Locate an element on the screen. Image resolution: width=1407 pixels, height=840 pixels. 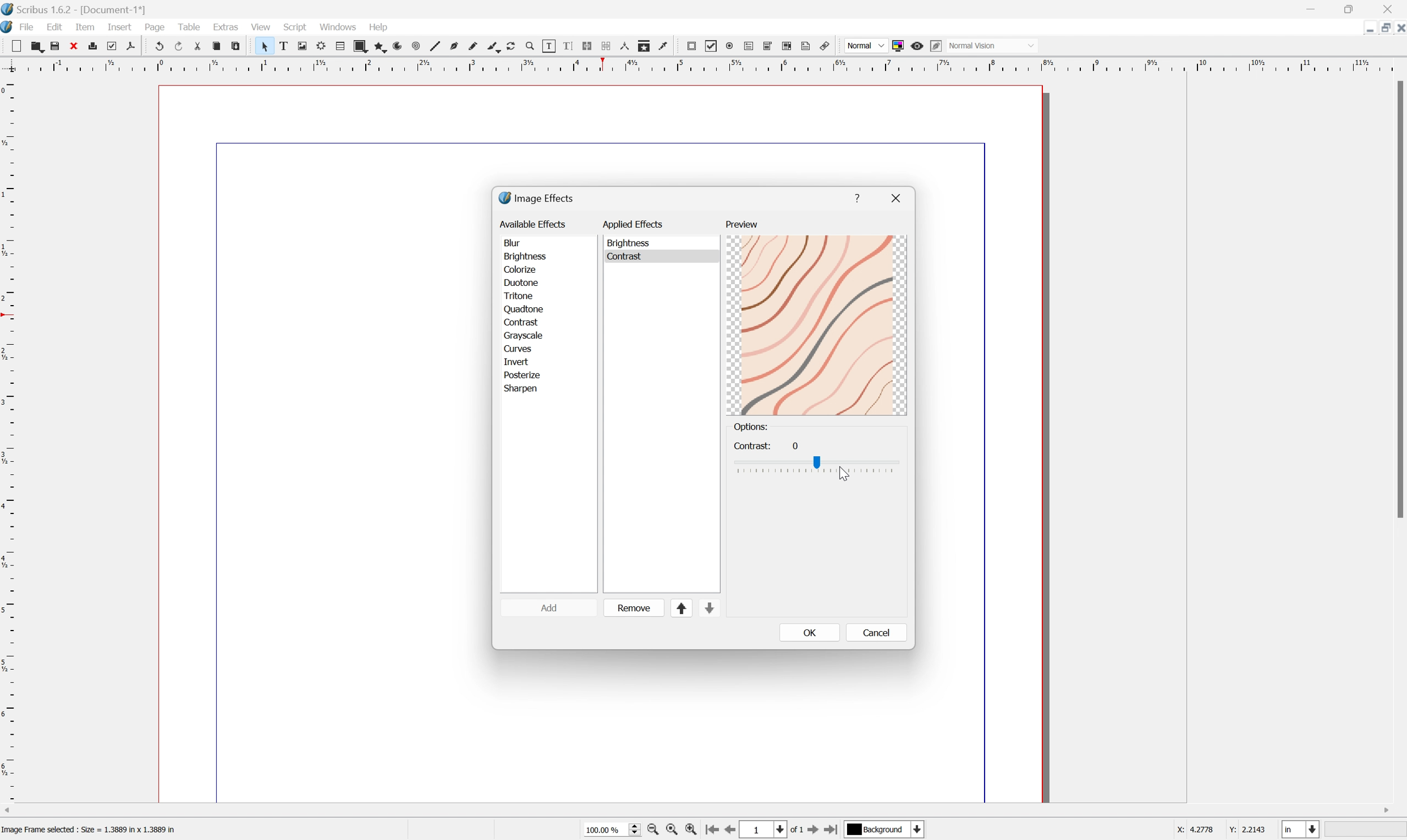
Open is located at coordinates (36, 46).